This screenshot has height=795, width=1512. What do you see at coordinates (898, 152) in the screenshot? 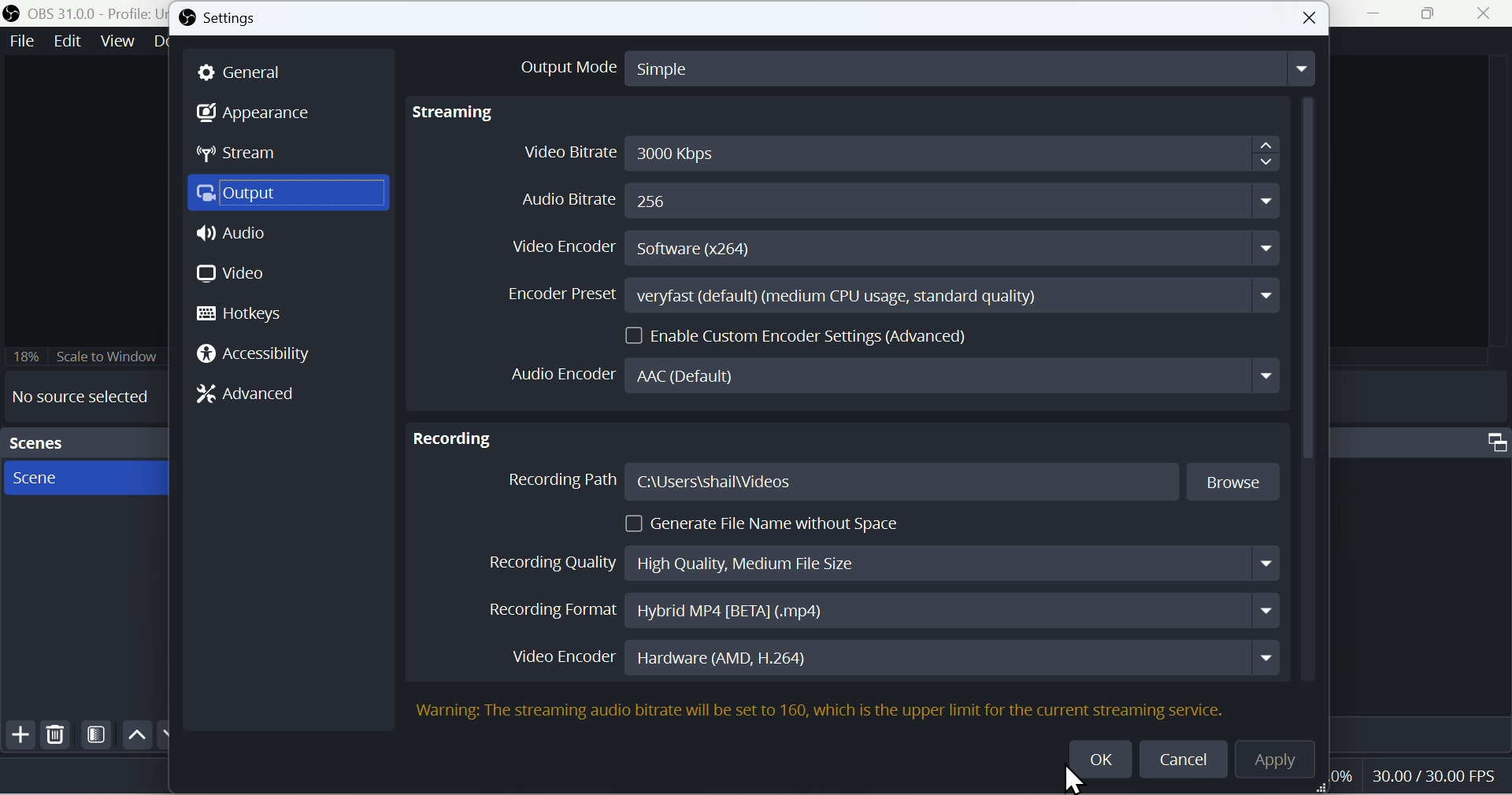
I see `Video Bitrate` at bounding box center [898, 152].